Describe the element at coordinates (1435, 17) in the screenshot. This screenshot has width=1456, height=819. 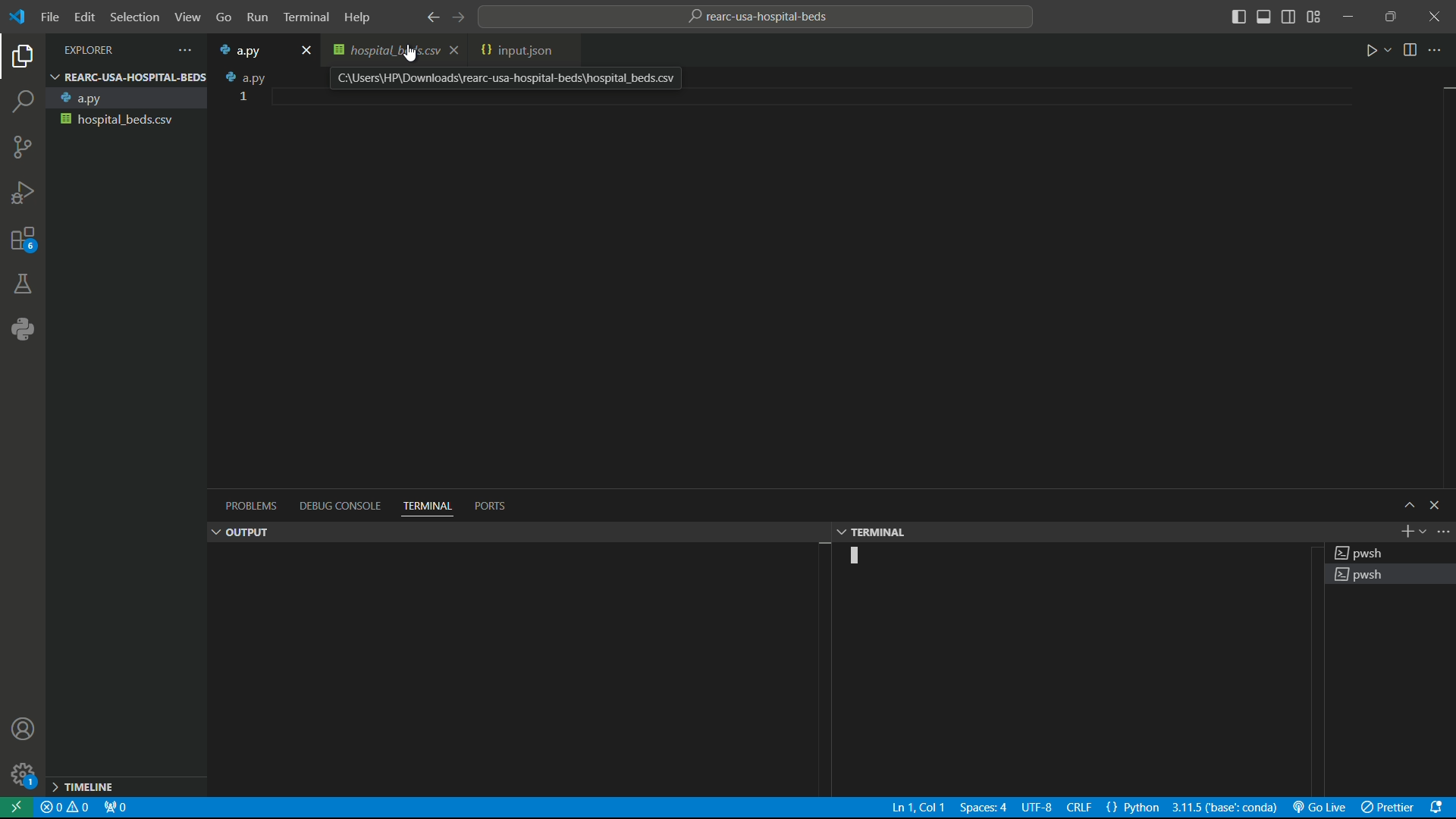
I see `close app` at that location.